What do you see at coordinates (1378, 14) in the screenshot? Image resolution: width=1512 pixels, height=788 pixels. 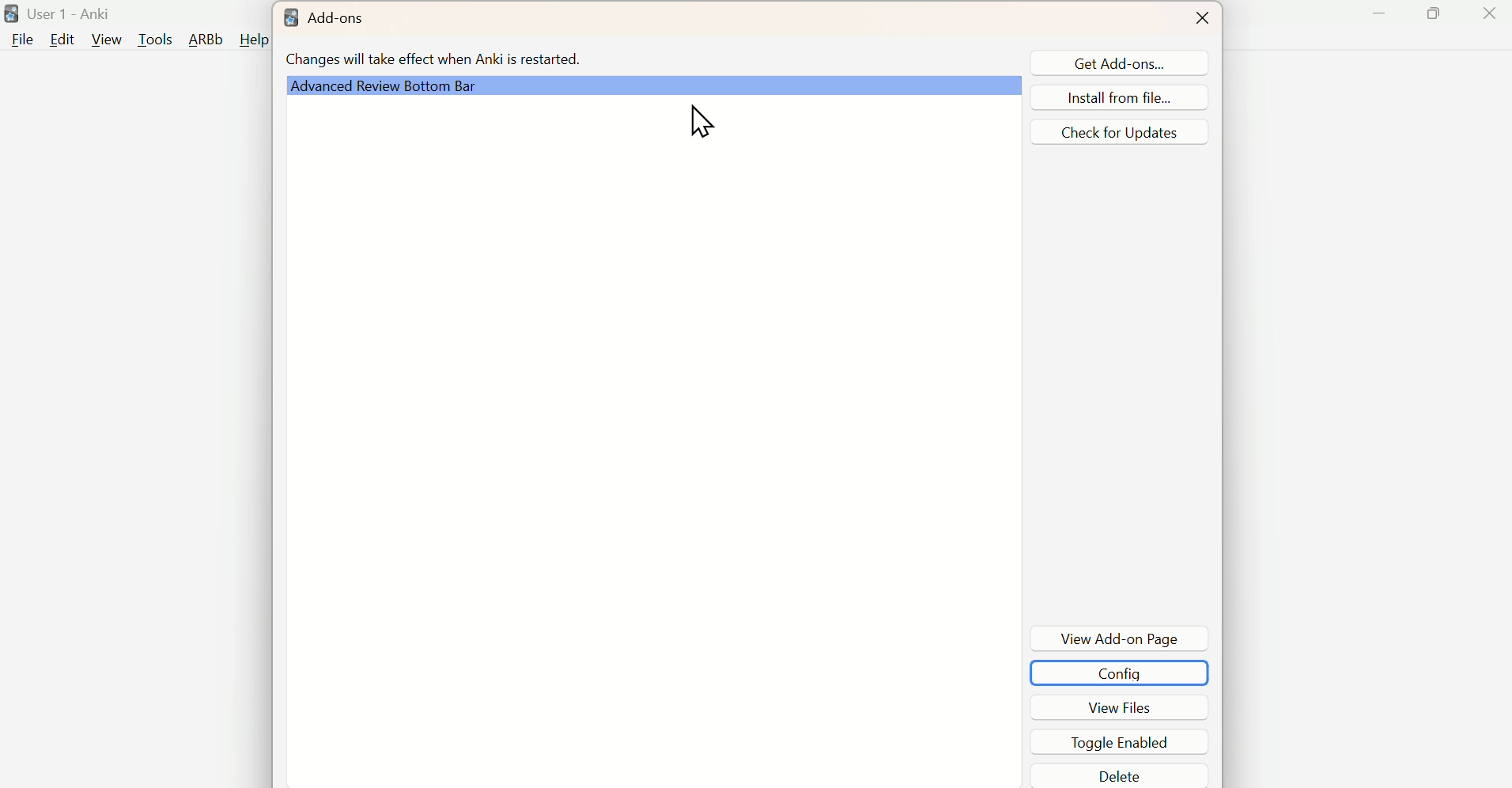 I see `Minimize` at bounding box center [1378, 14].